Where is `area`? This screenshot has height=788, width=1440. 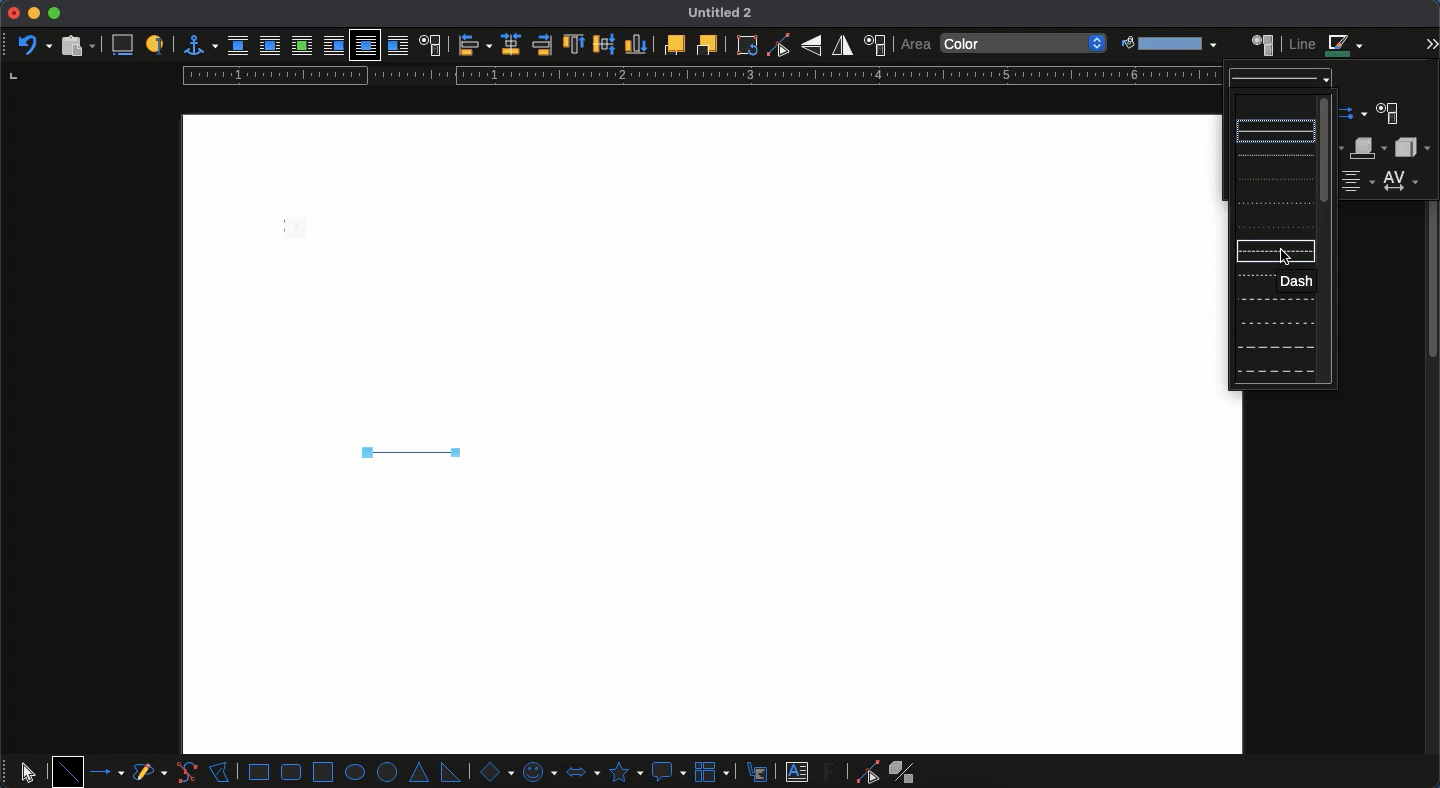 area is located at coordinates (1263, 43).